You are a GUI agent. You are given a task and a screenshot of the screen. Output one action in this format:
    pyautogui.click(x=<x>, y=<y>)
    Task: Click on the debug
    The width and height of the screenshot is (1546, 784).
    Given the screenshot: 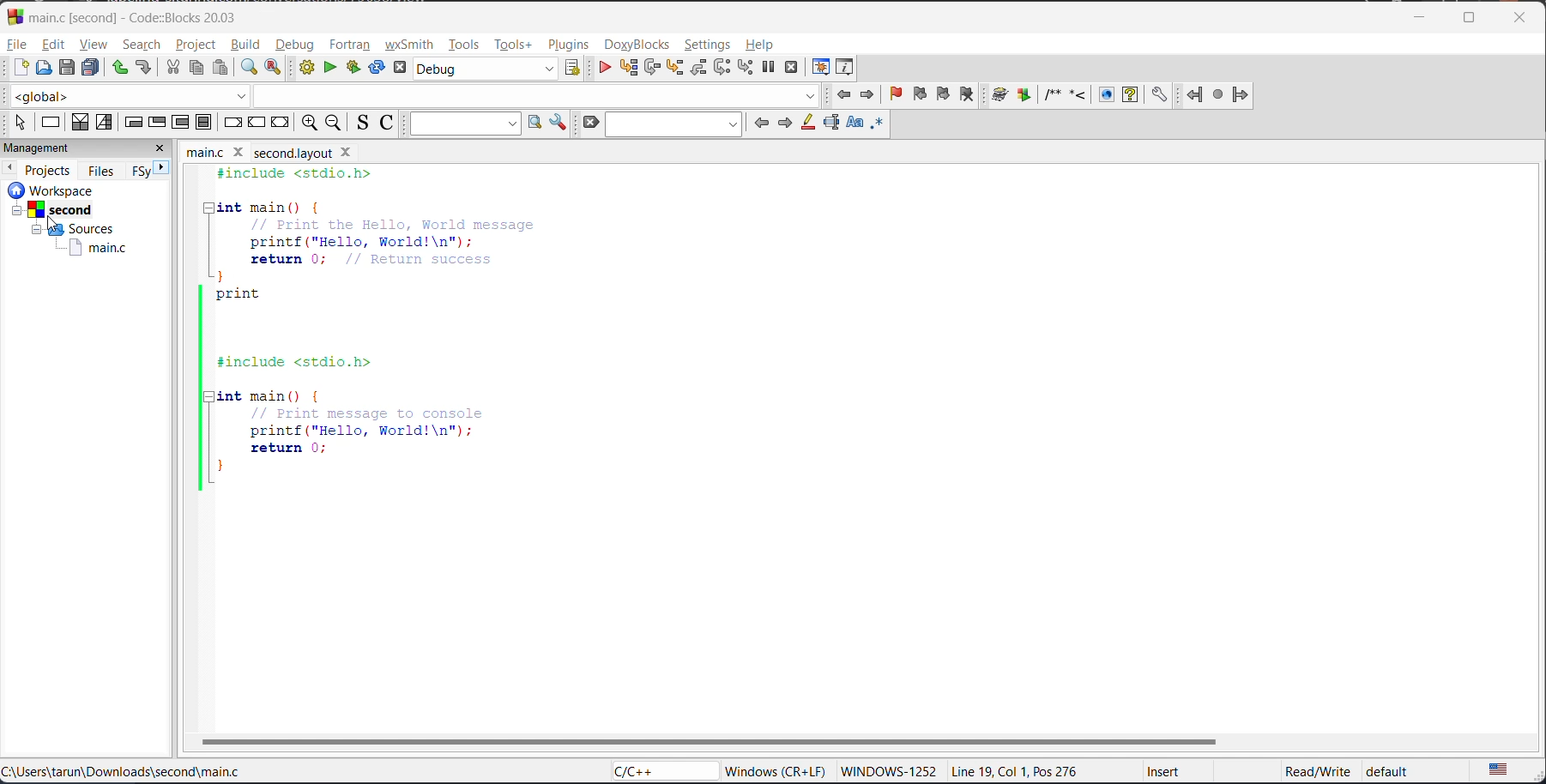 What is the action you would take?
    pyautogui.click(x=607, y=69)
    